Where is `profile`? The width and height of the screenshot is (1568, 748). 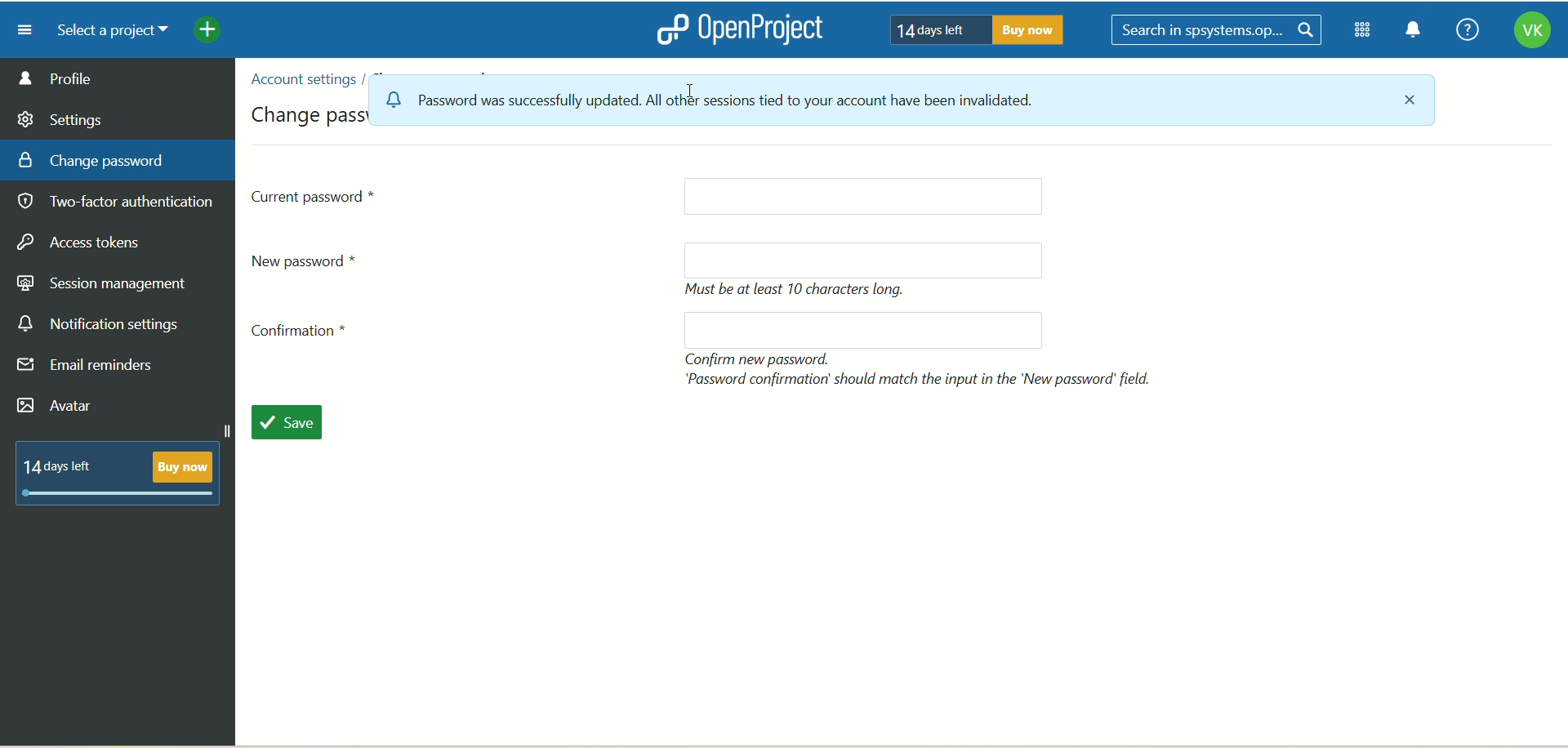
profile is located at coordinates (118, 78).